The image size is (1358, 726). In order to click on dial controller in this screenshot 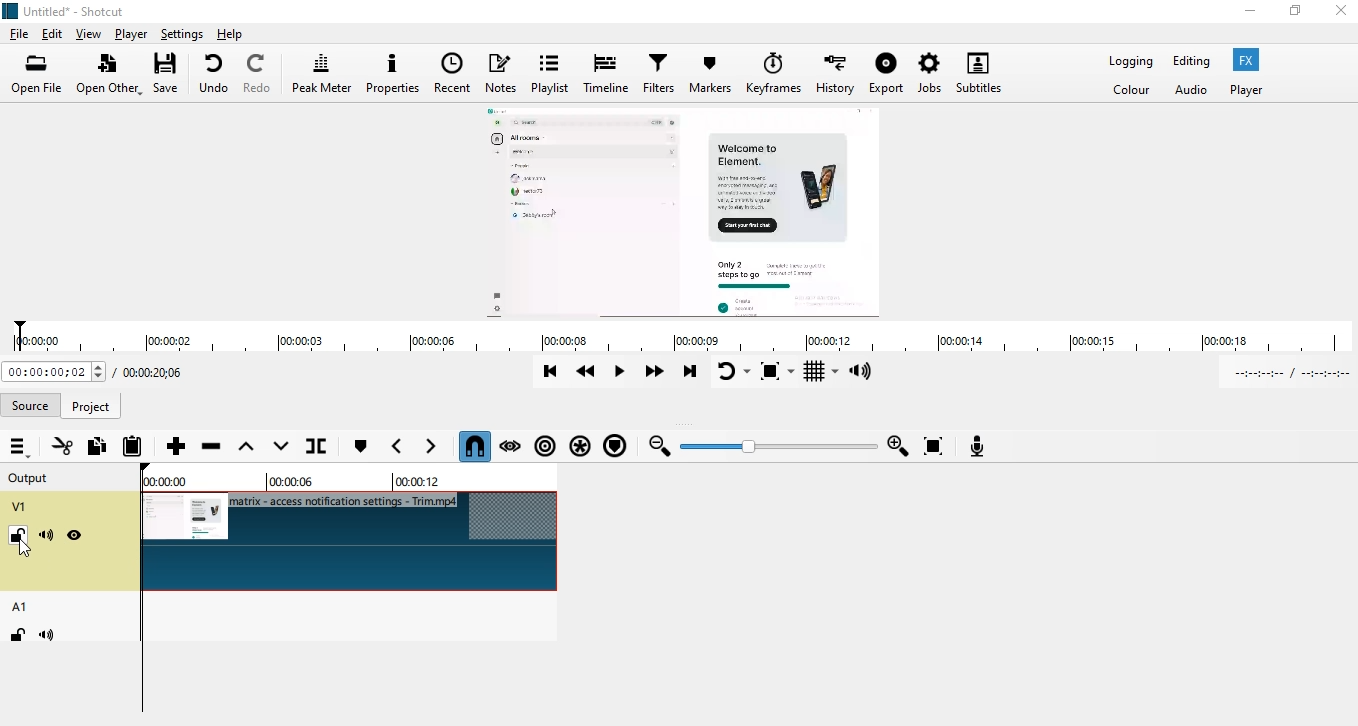, I will do `click(782, 448)`.